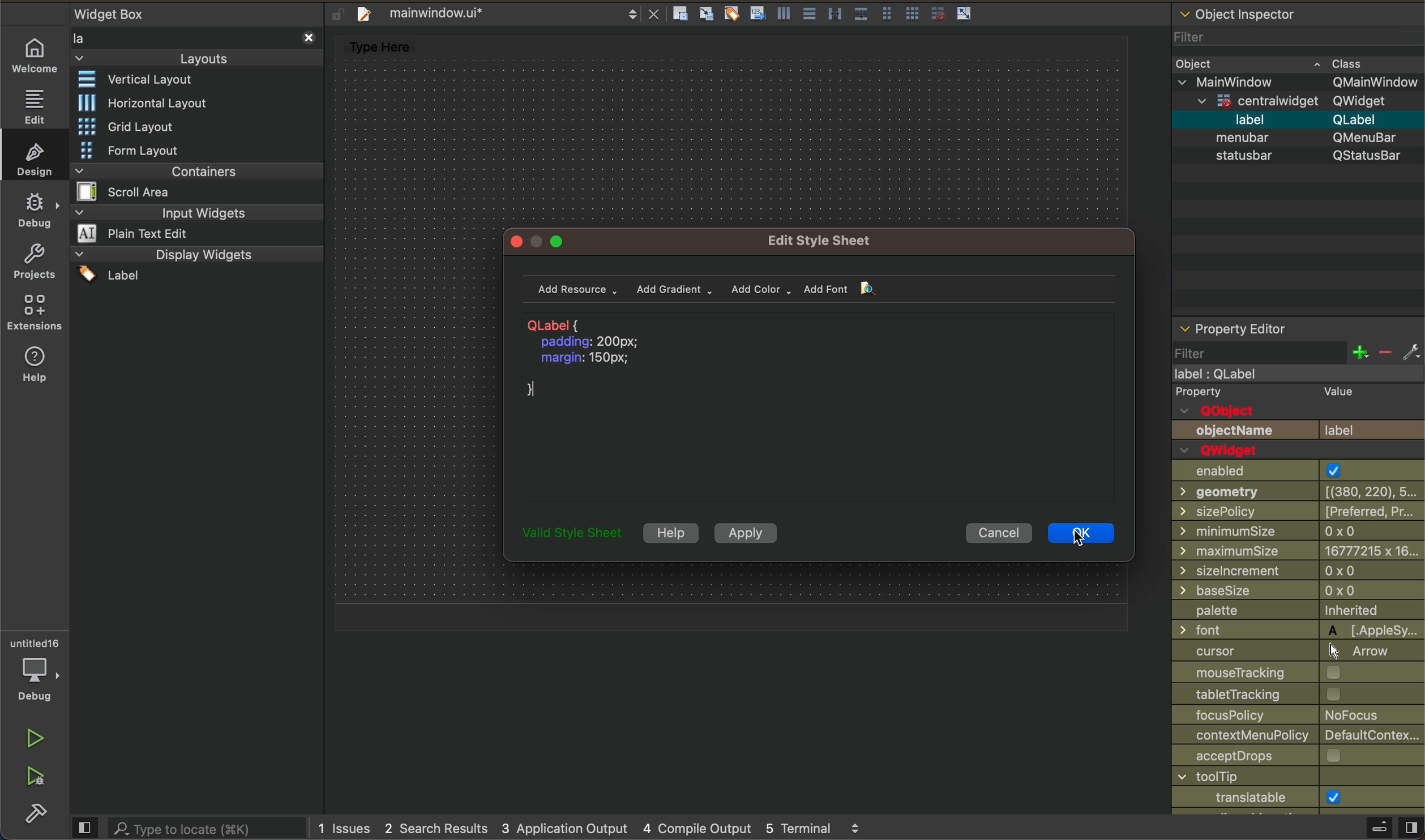 This screenshot has height=840, width=1425. What do you see at coordinates (1298, 342) in the screenshot?
I see `property editor` at bounding box center [1298, 342].